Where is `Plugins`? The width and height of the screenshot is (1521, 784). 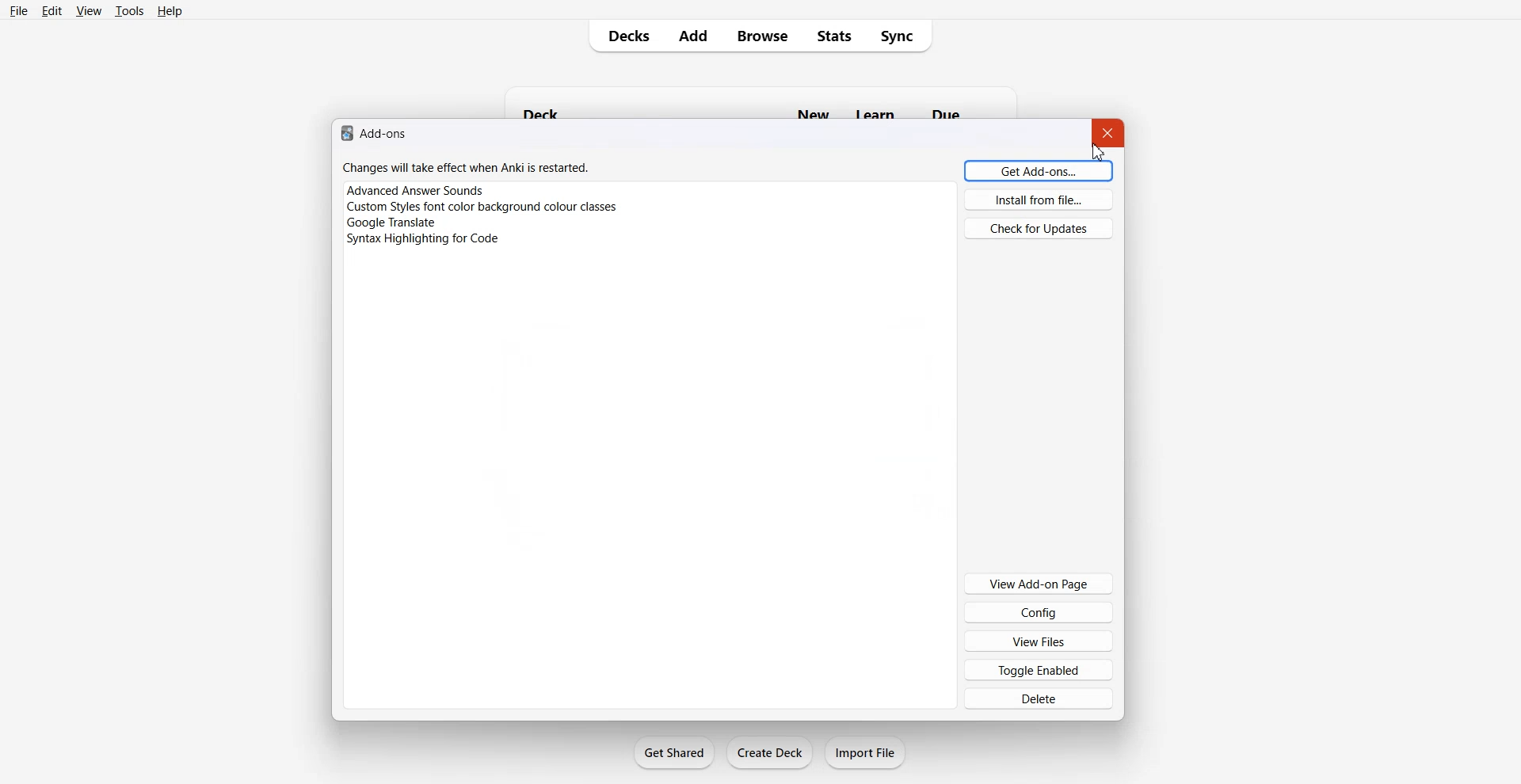
Plugins is located at coordinates (649, 223).